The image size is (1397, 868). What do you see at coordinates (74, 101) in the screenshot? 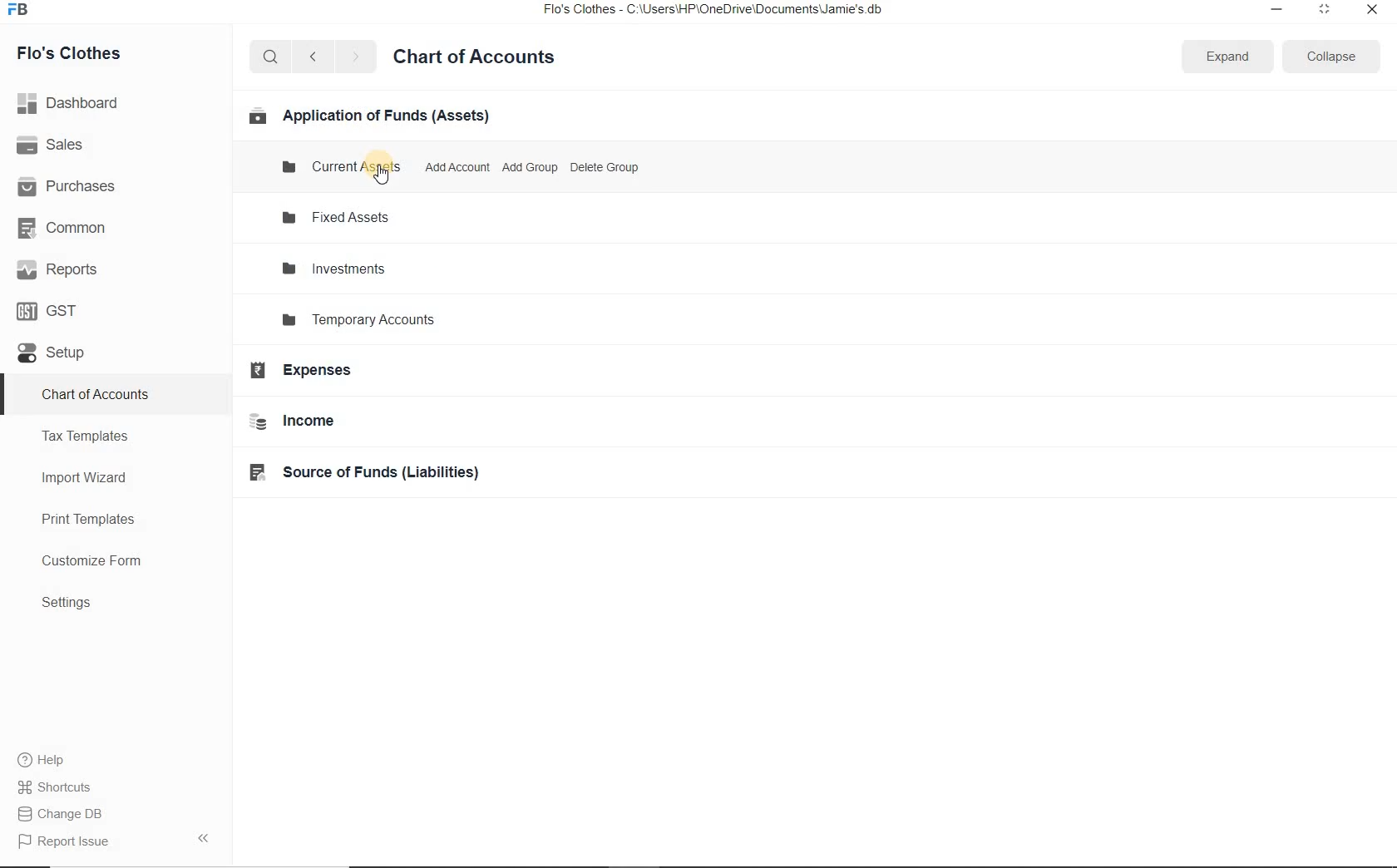
I see `Dashboard` at bounding box center [74, 101].